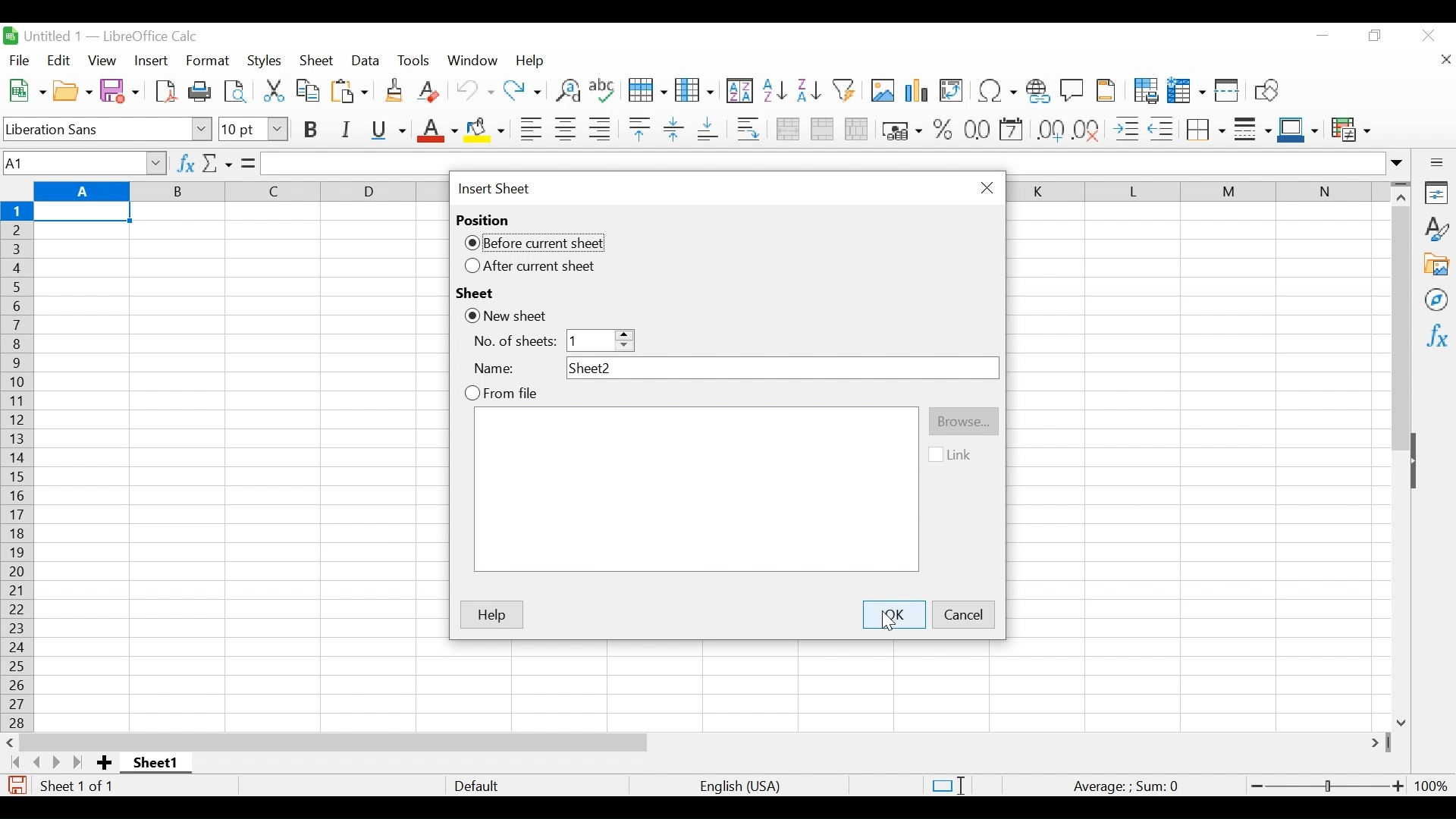 This screenshot has height=819, width=1456. Describe the element at coordinates (916, 91) in the screenshot. I see `Insert Chart` at that location.